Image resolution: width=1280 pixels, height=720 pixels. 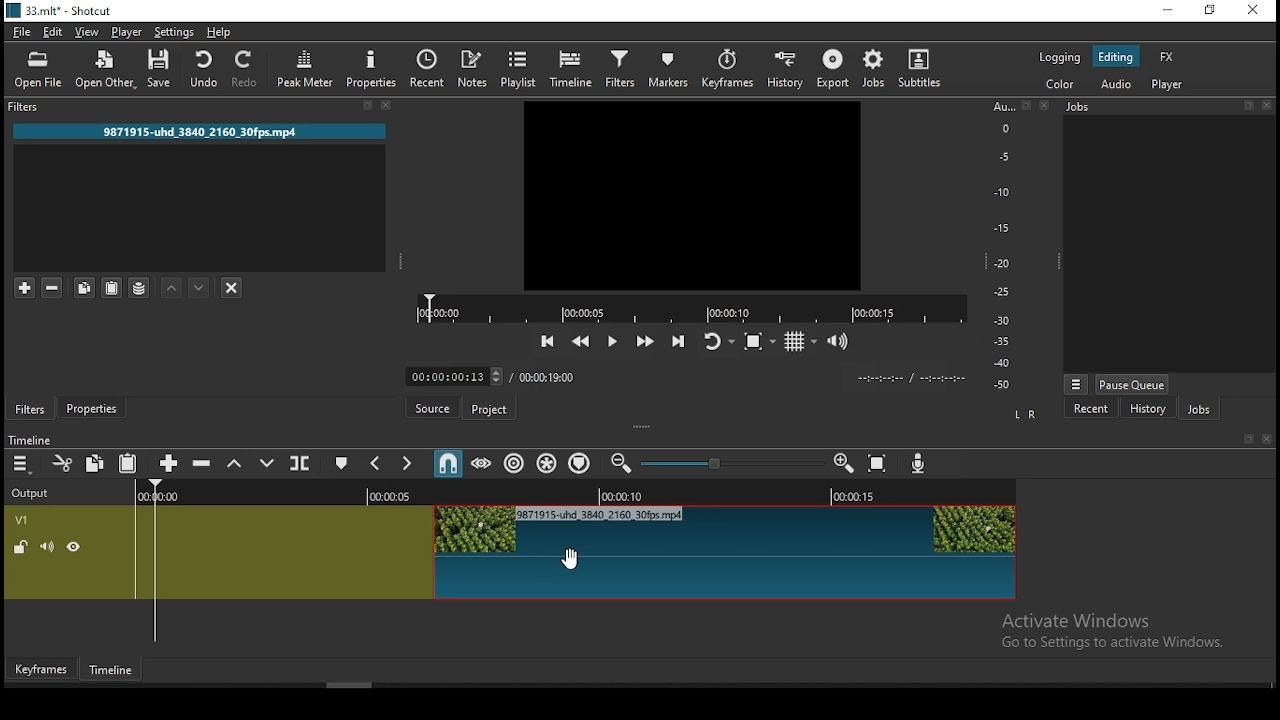 What do you see at coordinates (1270, 439) in the screenshot?
I see `close` at bounding box center [1270, 439].